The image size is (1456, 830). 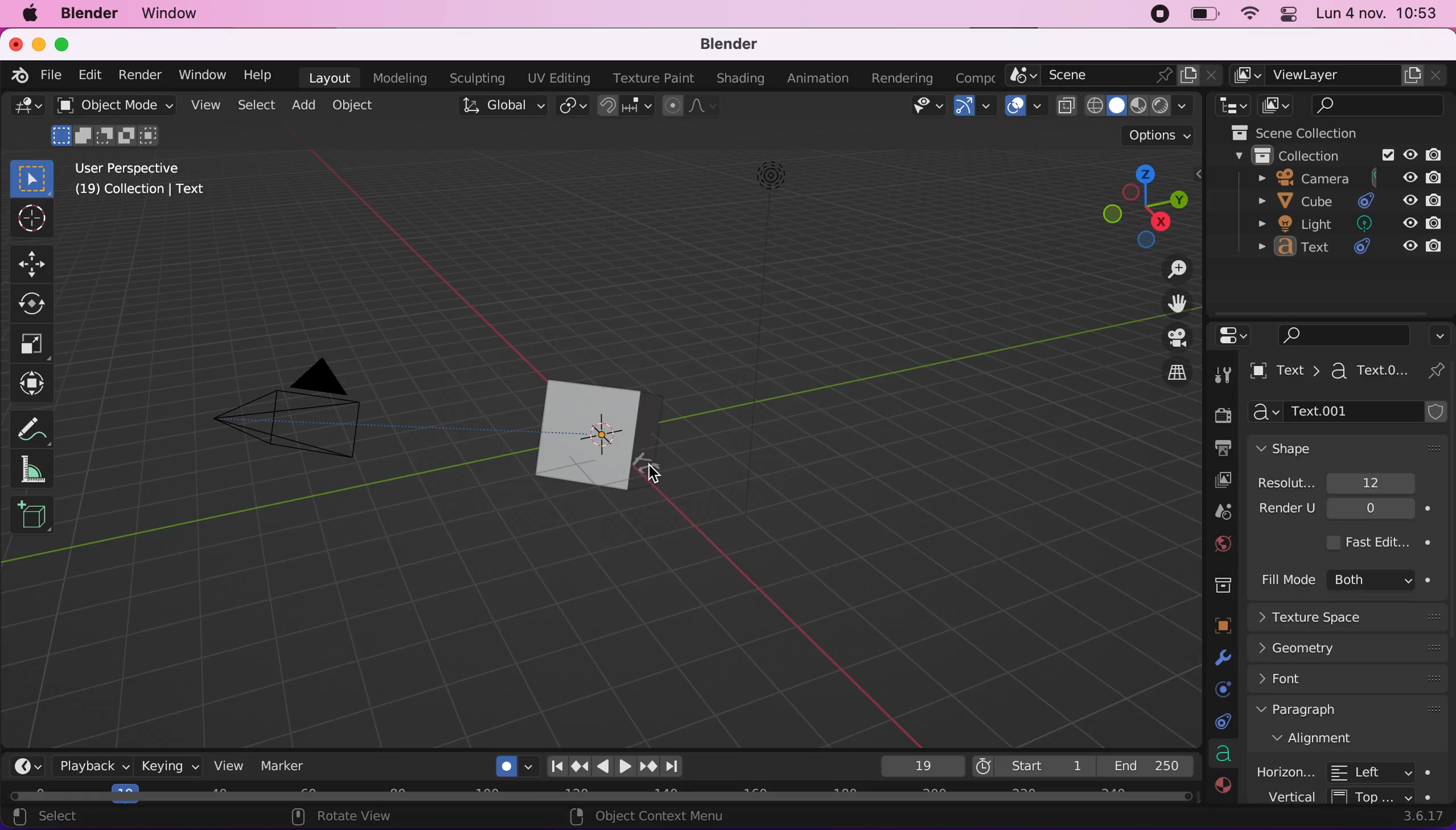 I want to click on global, so click(x=500, y=108).